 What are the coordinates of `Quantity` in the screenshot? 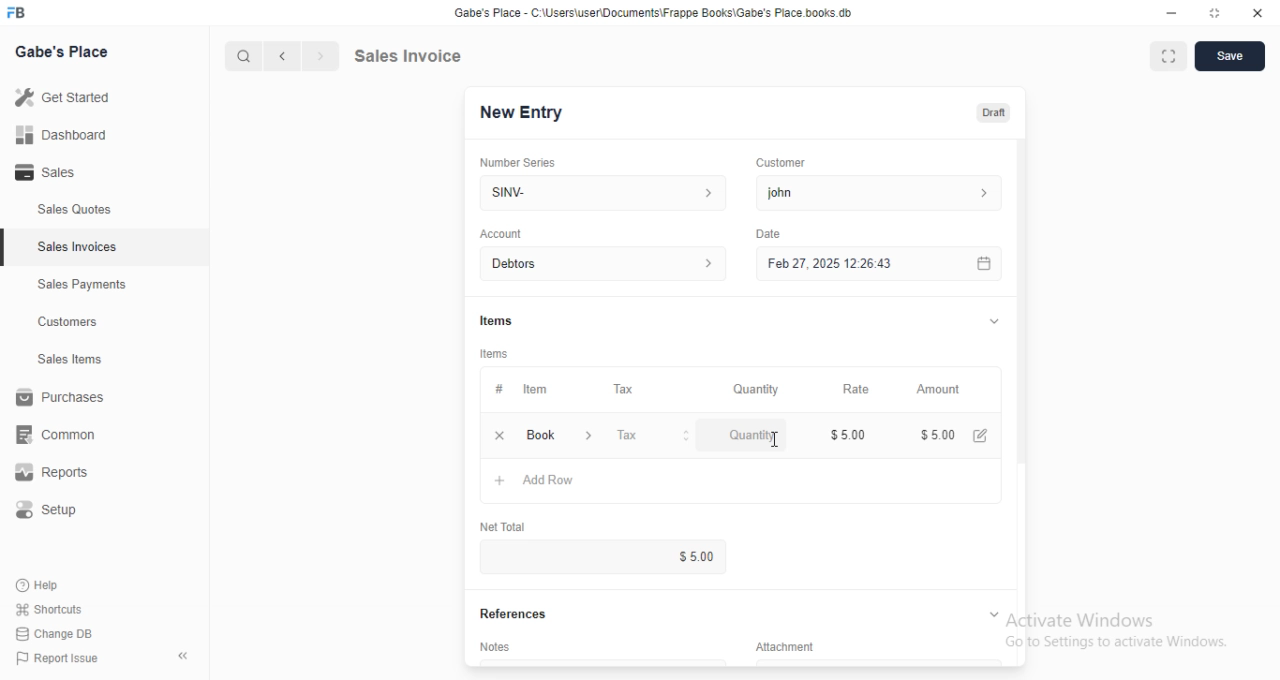 It's located at (753, 437).